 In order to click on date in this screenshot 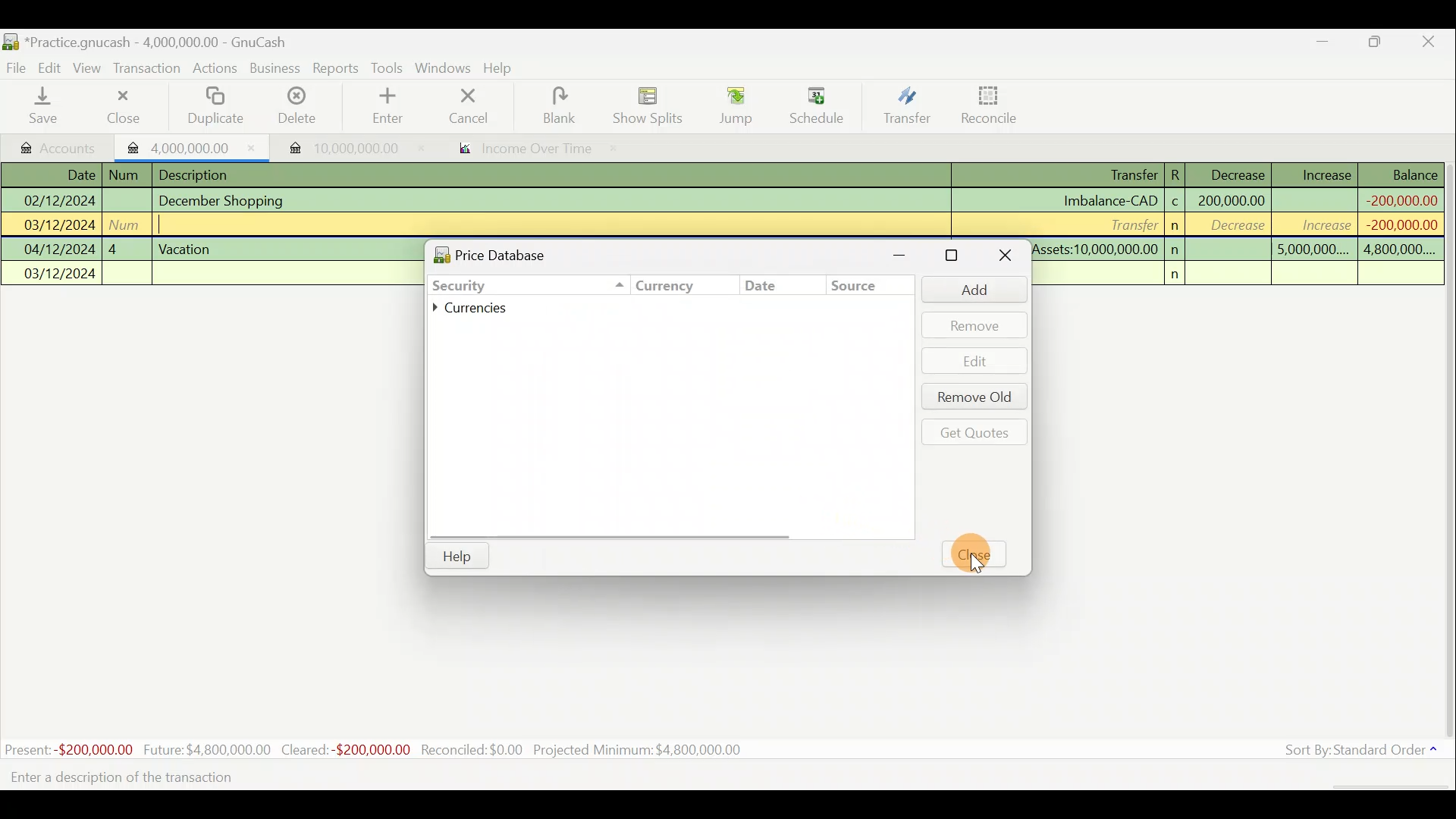, I will do `click(767, 286)`.